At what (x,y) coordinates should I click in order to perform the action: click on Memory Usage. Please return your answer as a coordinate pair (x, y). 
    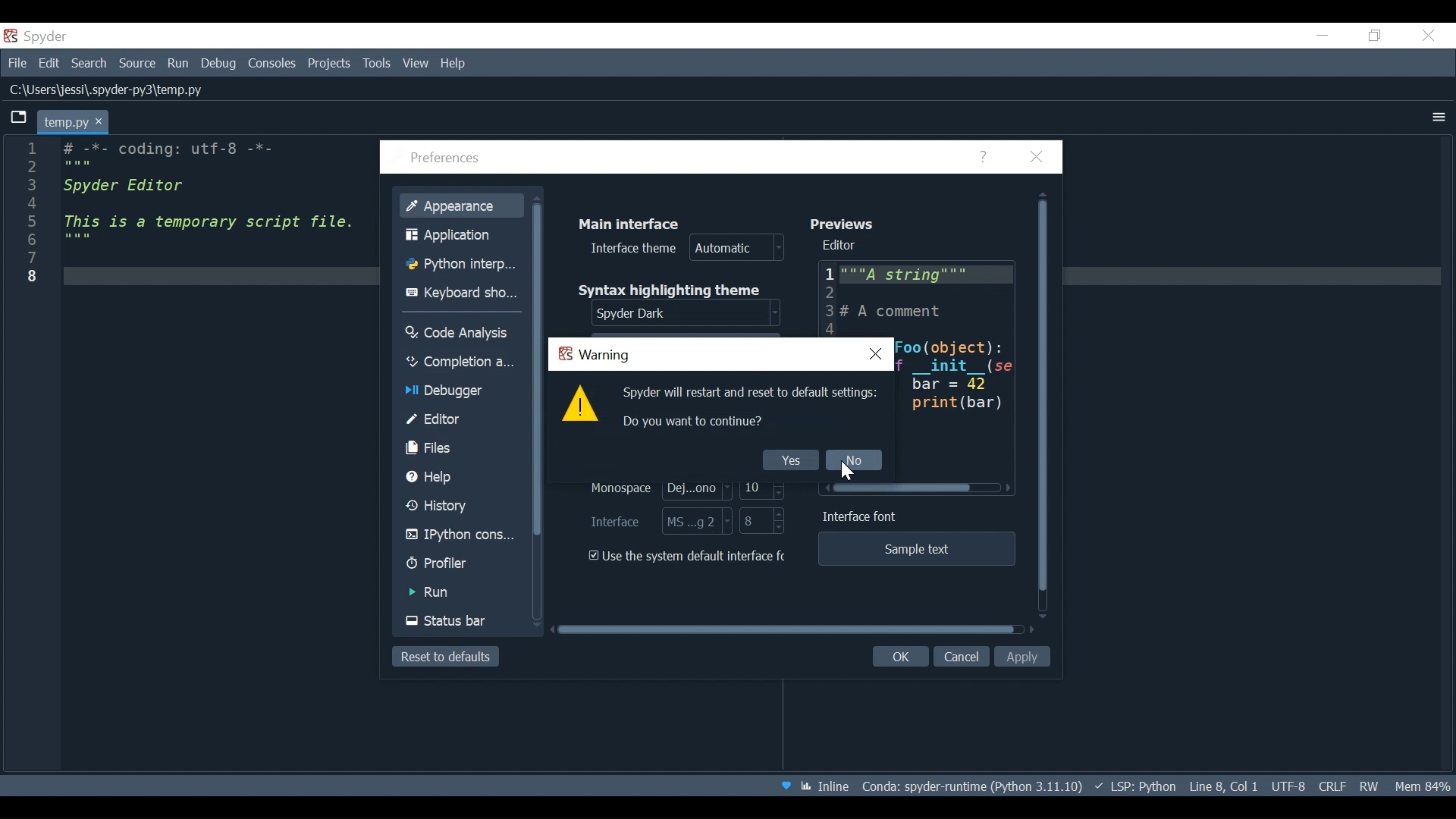
    Looking at the image, I should click on (1420, 785).